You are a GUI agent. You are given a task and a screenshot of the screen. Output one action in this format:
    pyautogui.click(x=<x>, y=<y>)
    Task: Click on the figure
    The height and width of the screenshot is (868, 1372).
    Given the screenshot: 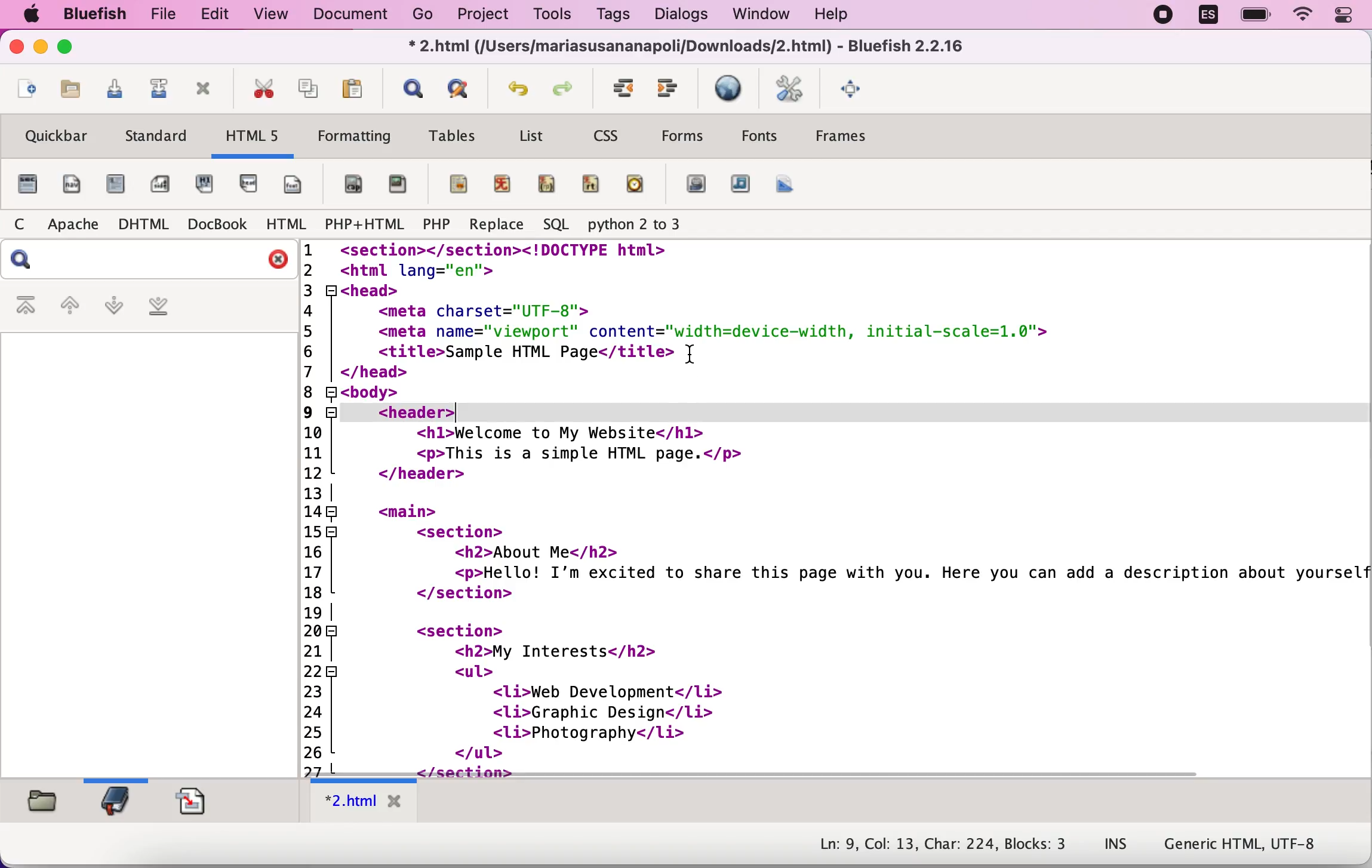 What is the action you would take?
    pyautogui.click(x=400, y=184)
    